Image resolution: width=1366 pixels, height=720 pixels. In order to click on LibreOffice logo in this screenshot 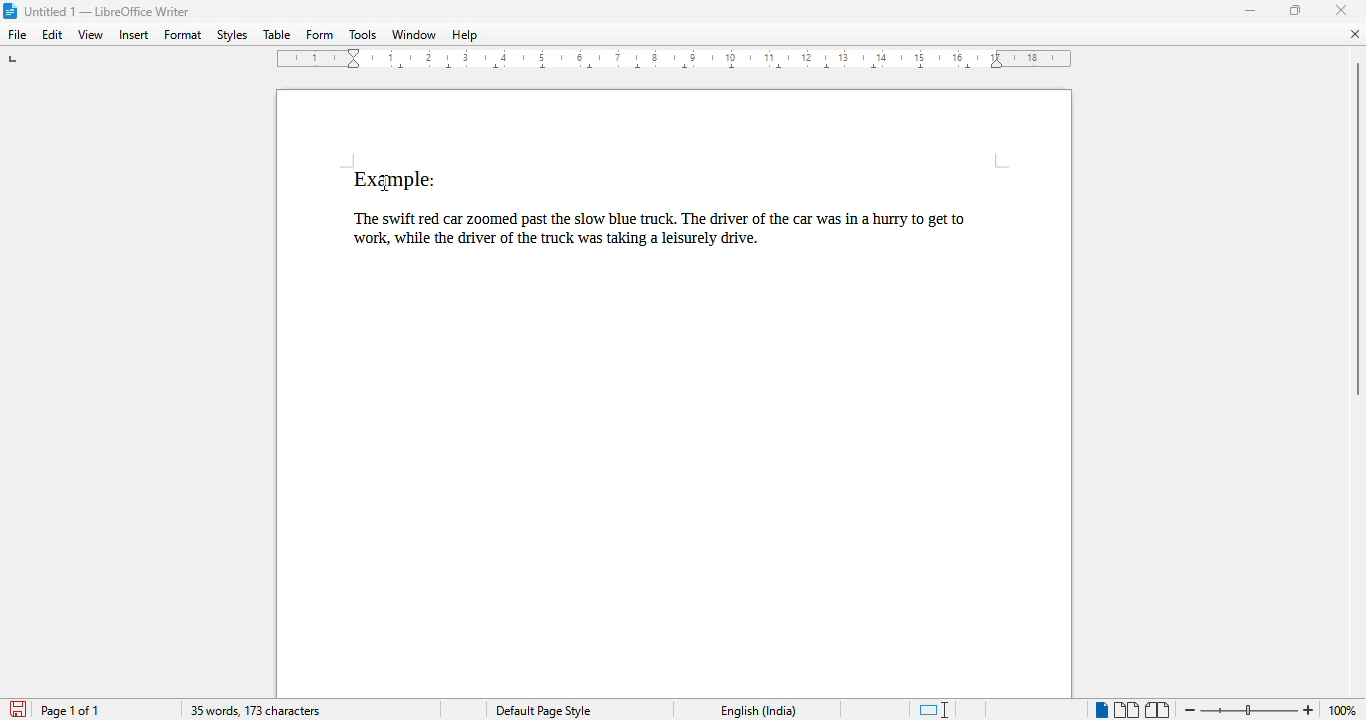, I will do `click(9, 11)`.